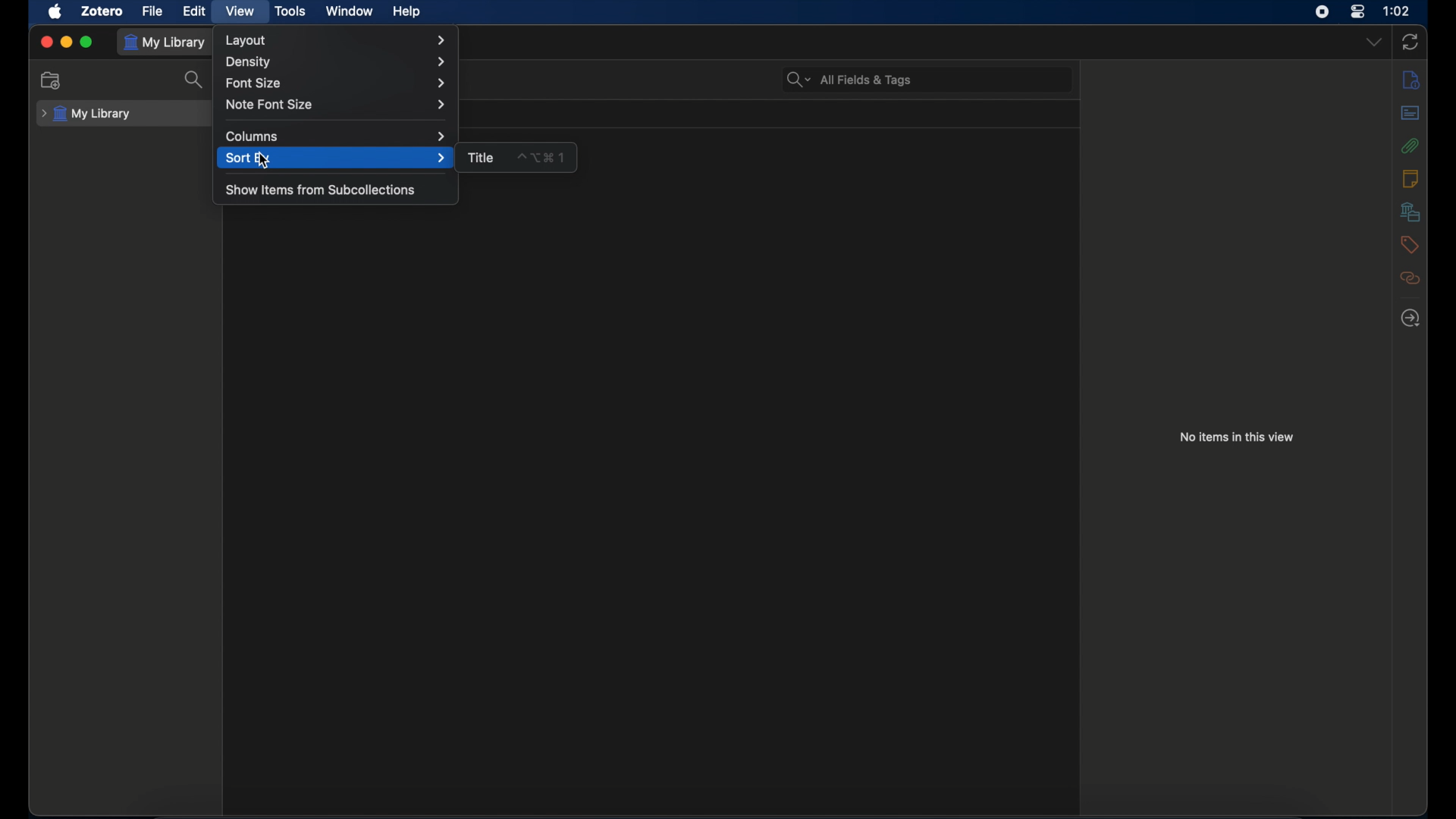 The image size is (1456, 819). What do you see at coordinates (151, 10) in the screenshot?
I see `file` at bounding box center [151, 10].